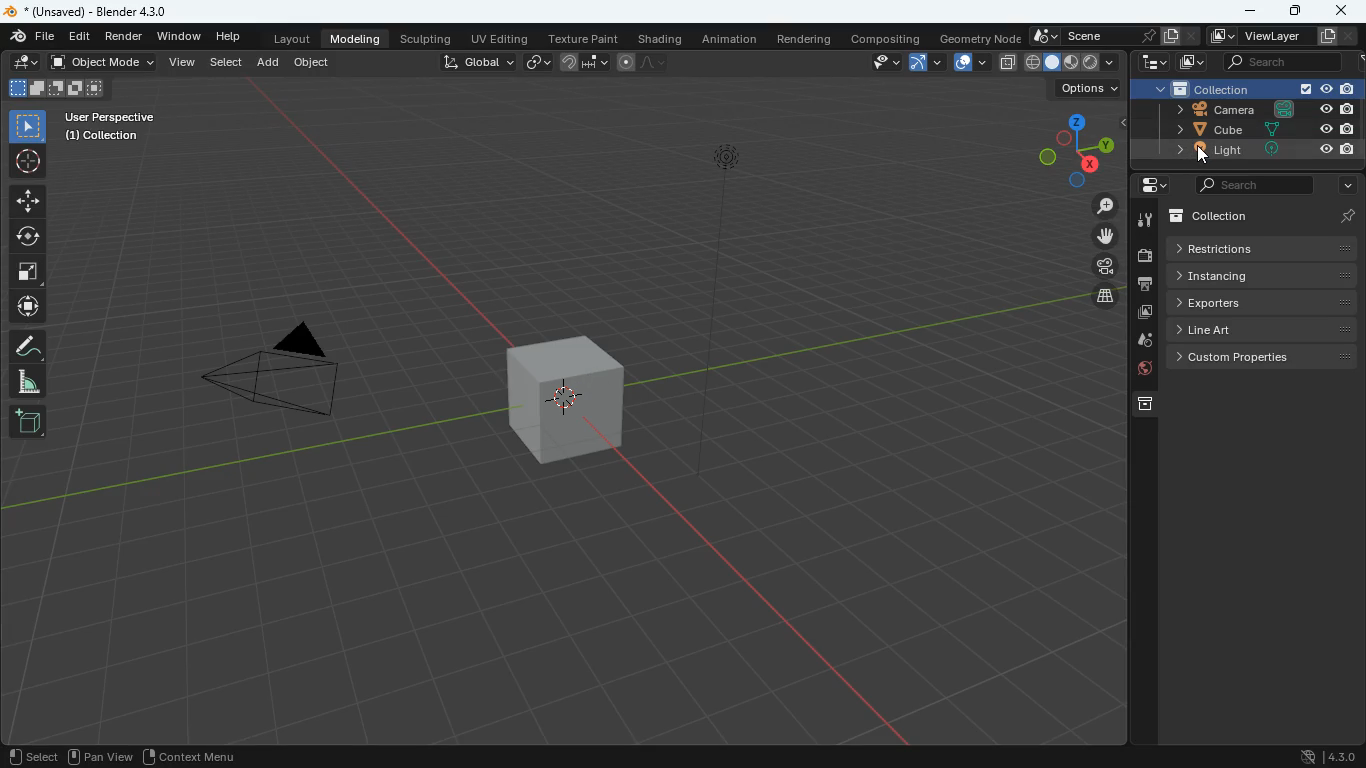  What do you see at coordinates (86, 10) in the screenshot?
I see `(Unsaved) - Blender 4.3.0` at bounding box center [86, 10].